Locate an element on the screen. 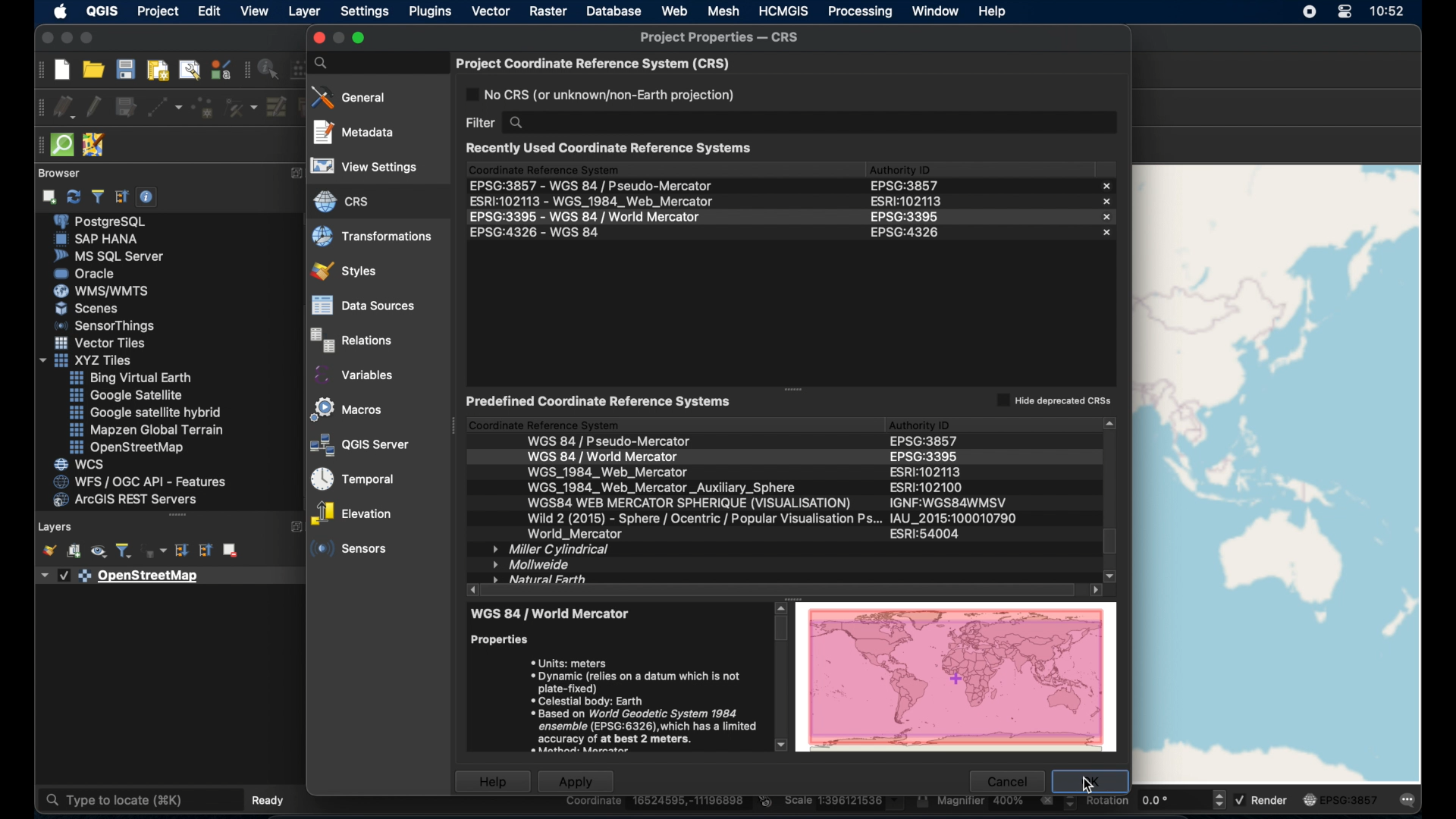 This screenshot has height=819, width=1456. wgs  84/. world mercator is located at coordinates (599, 457).